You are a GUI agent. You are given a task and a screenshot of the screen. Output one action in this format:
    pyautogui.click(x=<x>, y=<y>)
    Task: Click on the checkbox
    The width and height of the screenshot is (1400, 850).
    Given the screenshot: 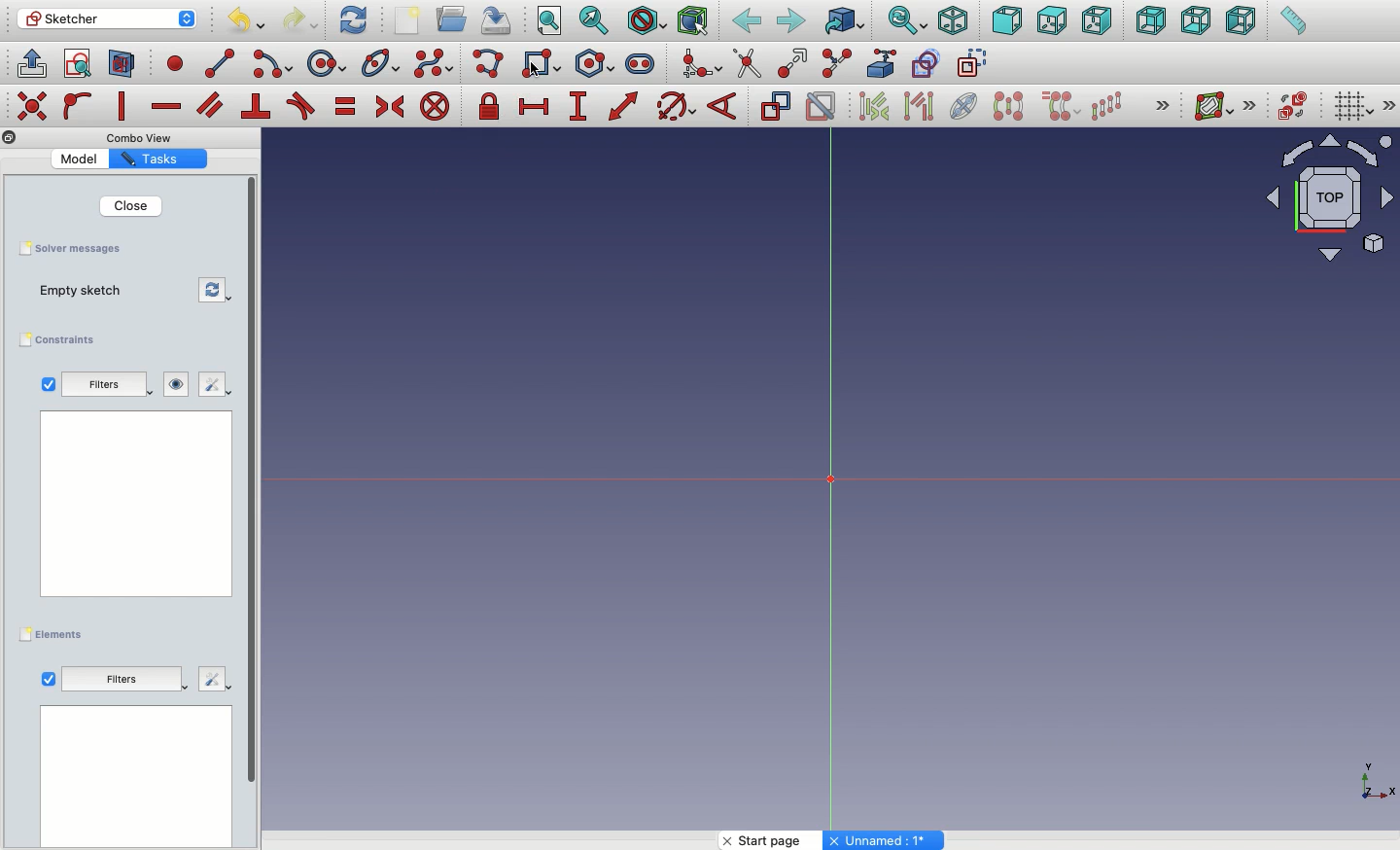 What is the action you would take?
    pyautogui.click(x=48, y=384)
    